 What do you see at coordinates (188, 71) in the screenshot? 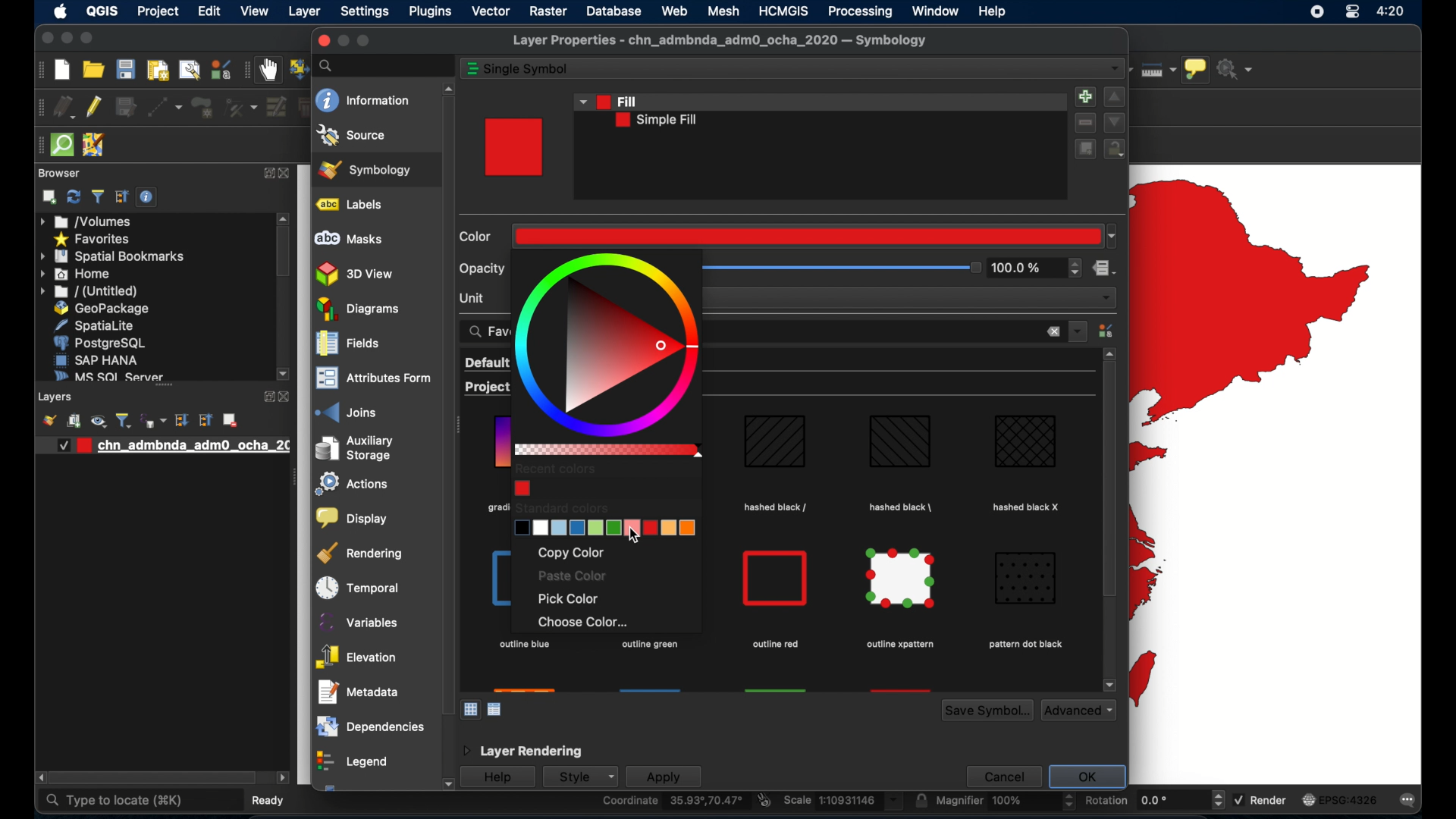
I see `open layout manager` at bounding box center [188, 71].